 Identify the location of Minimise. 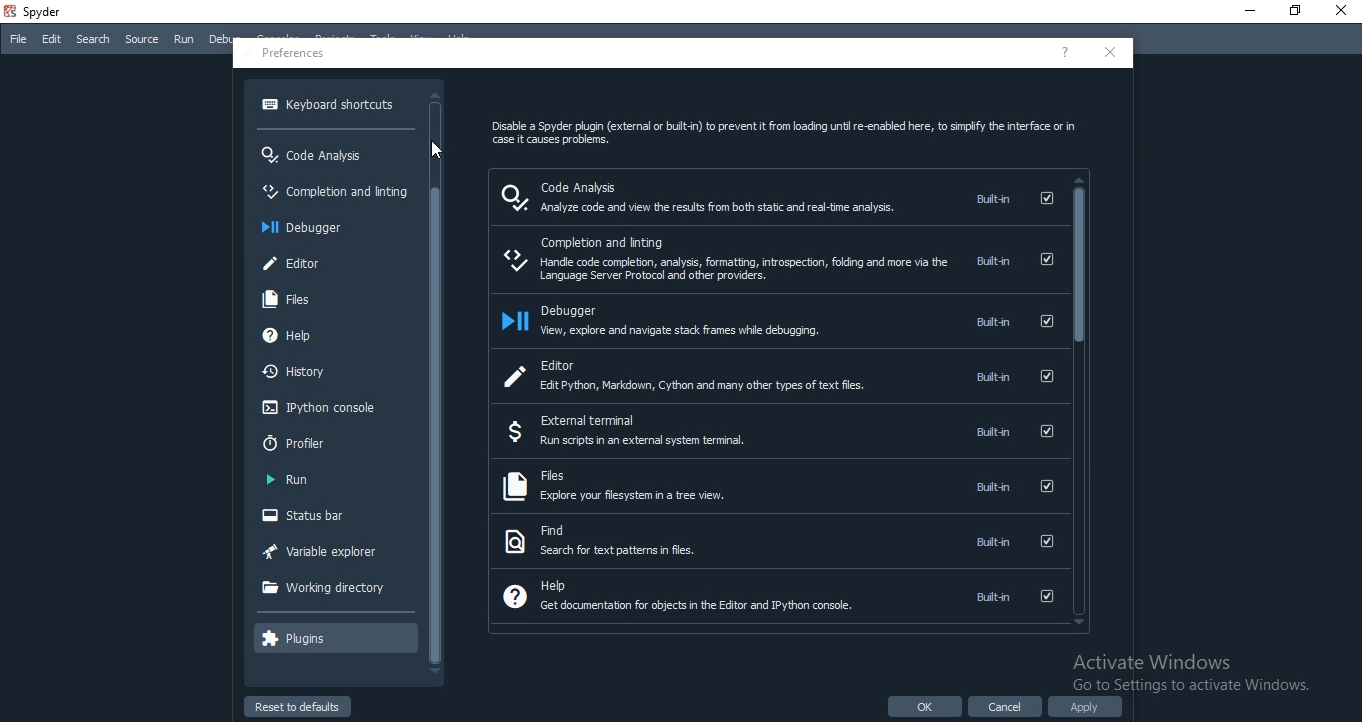
(1247, 10).